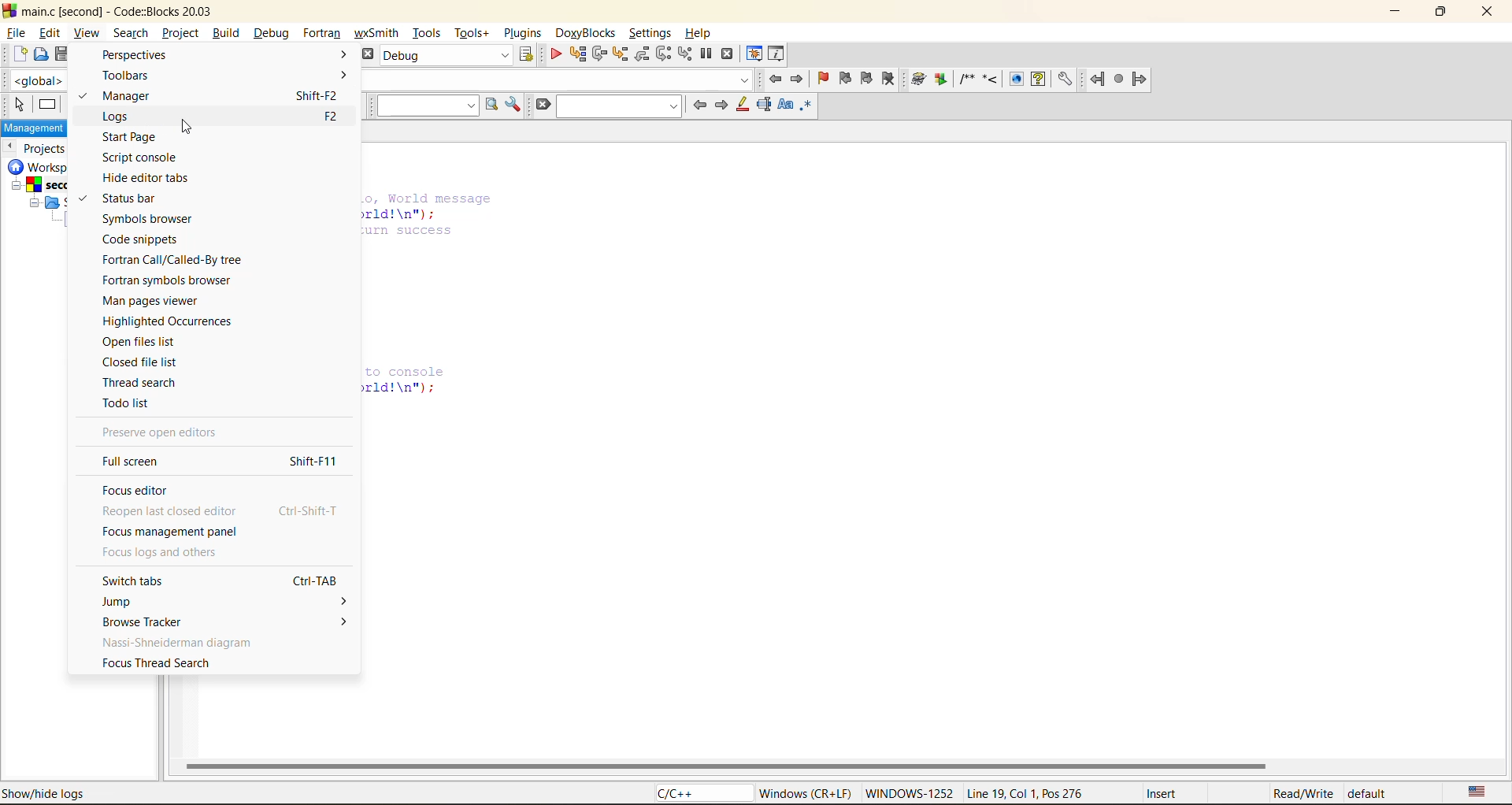 The width and height of the screenshot is (1512, 805). What do you see at coordinates (133, 406) in the screenshot?
I see `todo list` at bounding box center [133, 406].